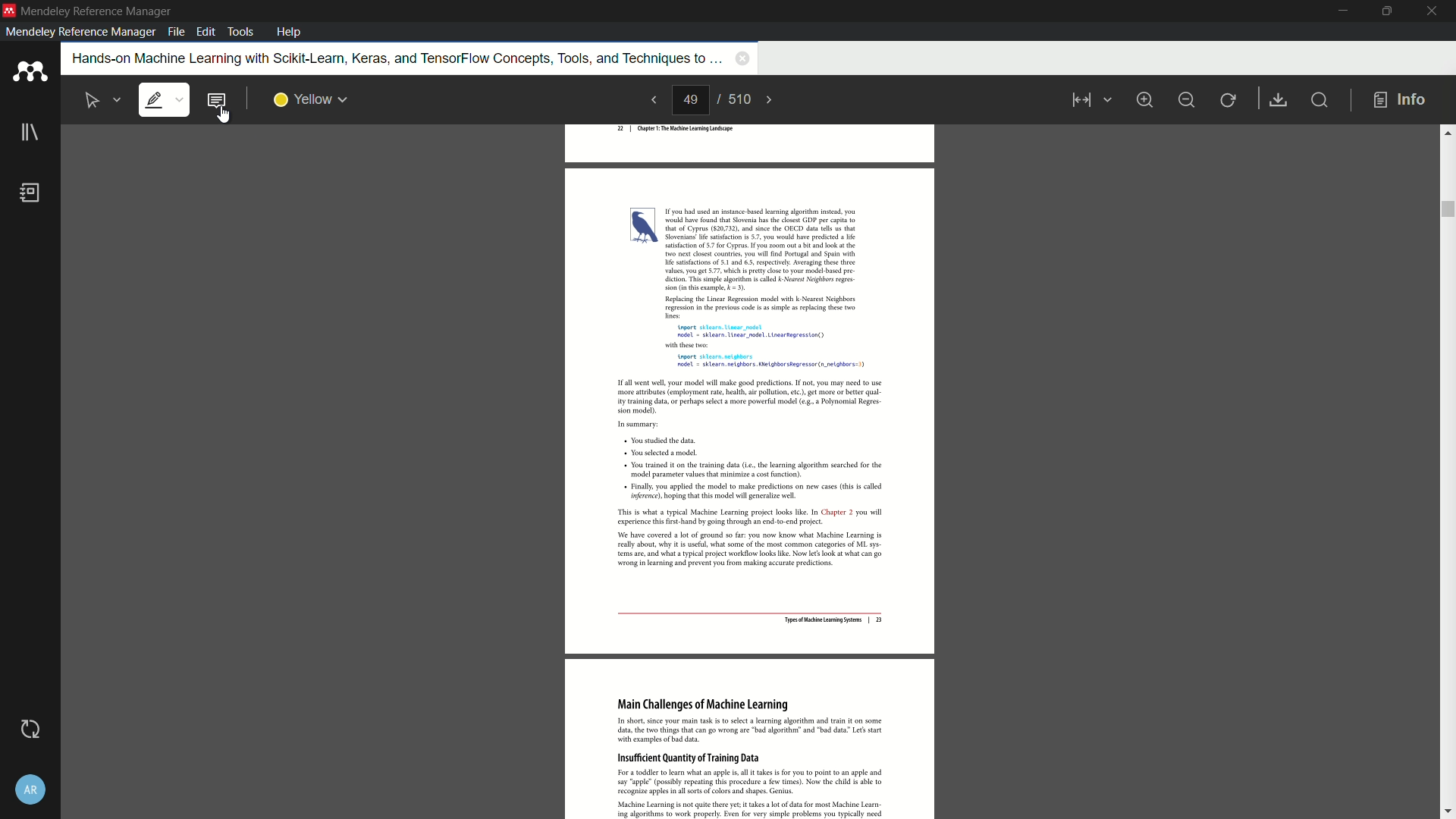 This screenshot has height=819, width=1456. I want to click on tools menu, so click(242, 30).